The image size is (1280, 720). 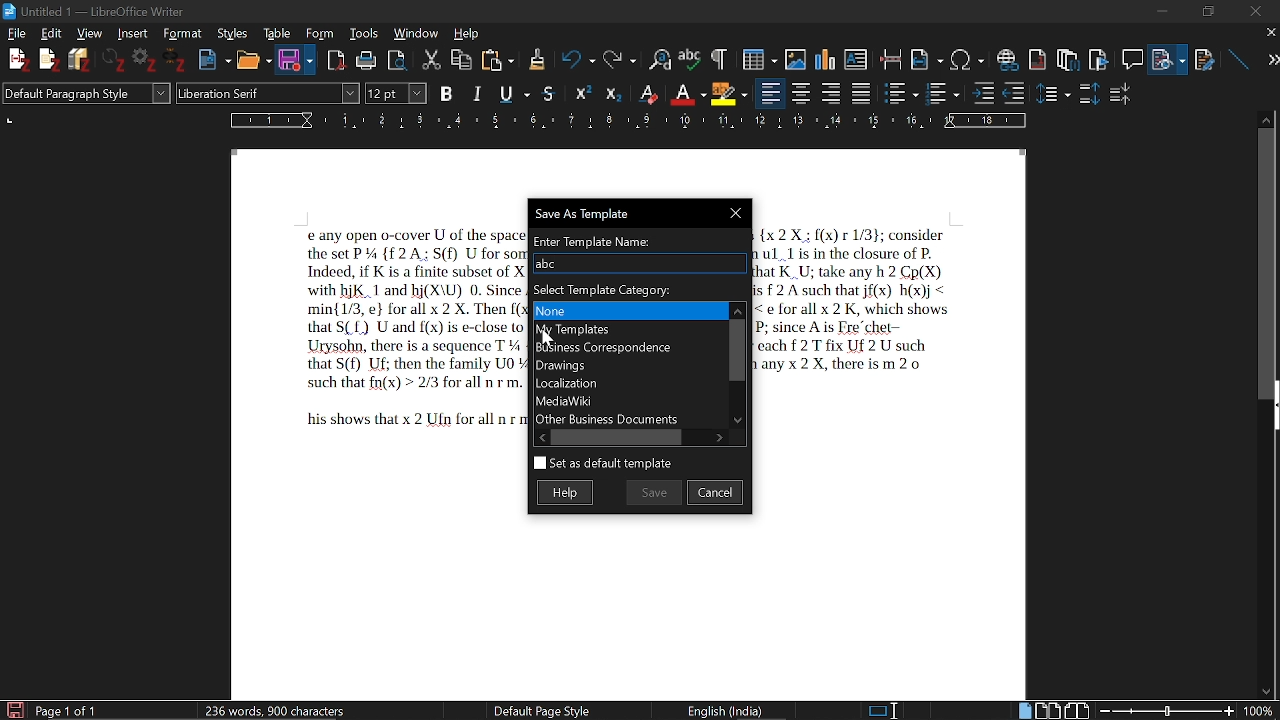 I want to click on Name of the template, so click(x=638, y=263).